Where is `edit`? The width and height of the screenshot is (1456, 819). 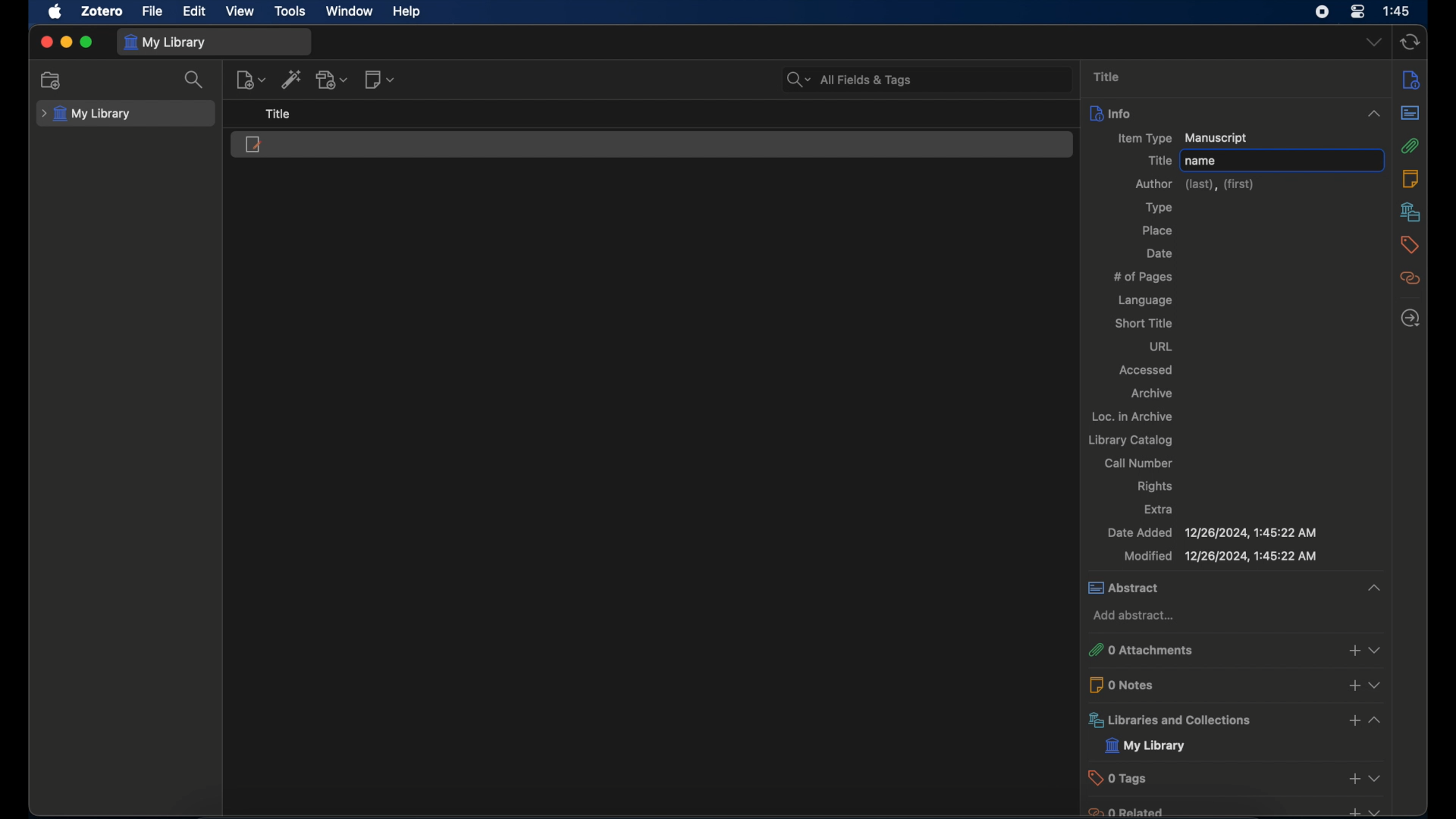 edit is located at coordinates (196, 12).